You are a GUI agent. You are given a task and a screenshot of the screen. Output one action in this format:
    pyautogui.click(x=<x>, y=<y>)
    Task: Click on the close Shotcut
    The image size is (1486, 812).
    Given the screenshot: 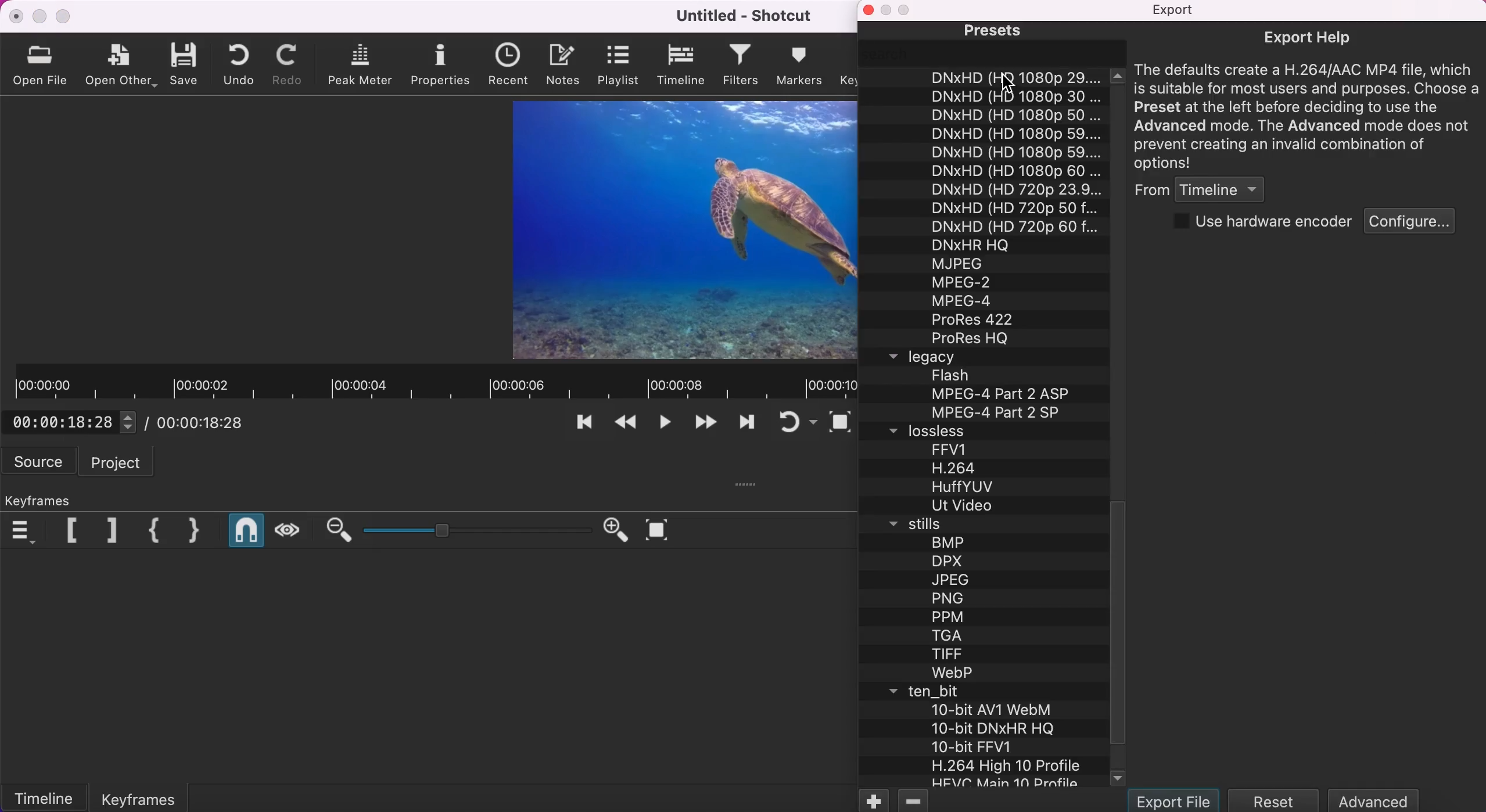 What is the action you would take?
    pyautogui.click(x=13, y=16)
    